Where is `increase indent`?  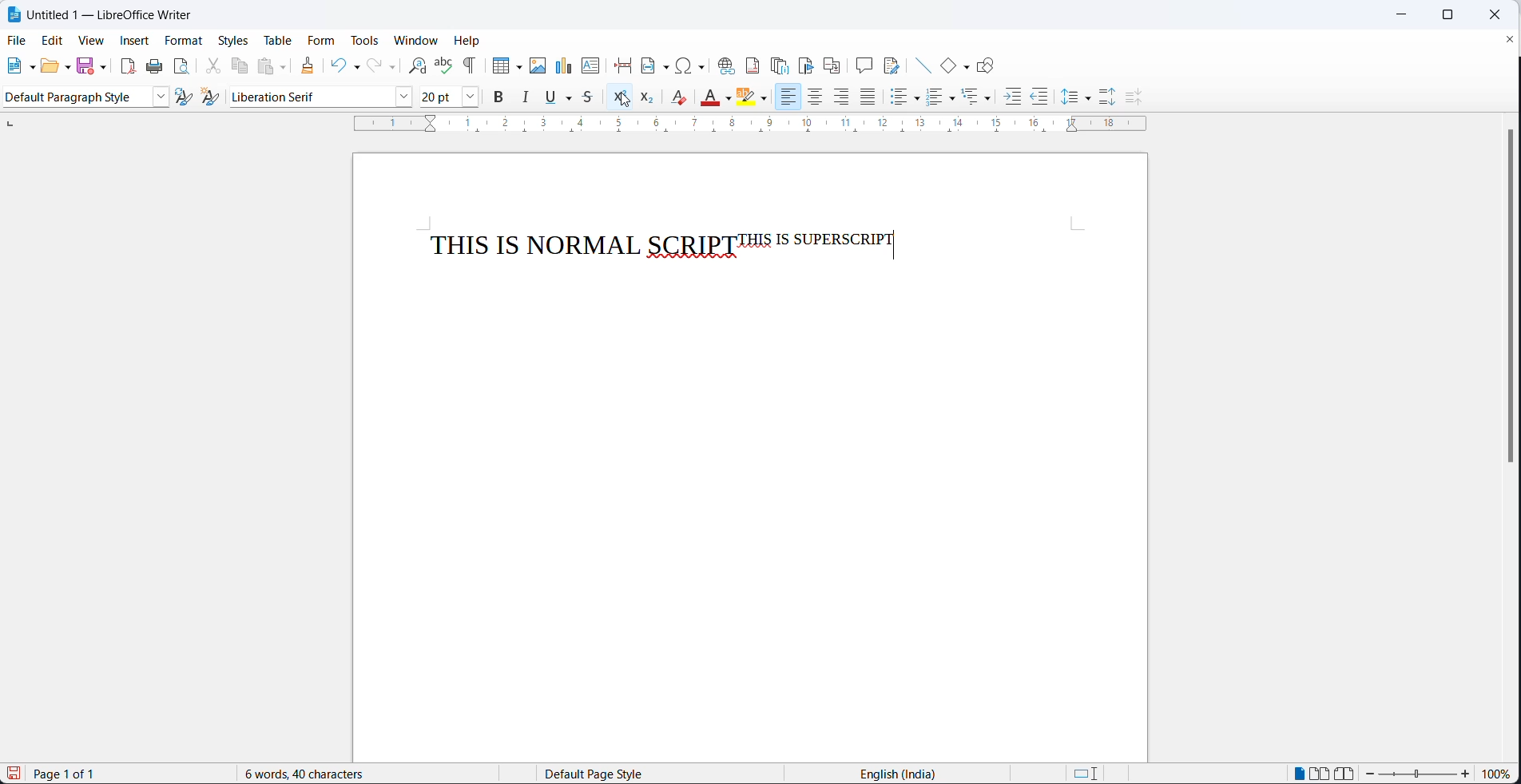 increase indent is located at coordinates (1011, 98).